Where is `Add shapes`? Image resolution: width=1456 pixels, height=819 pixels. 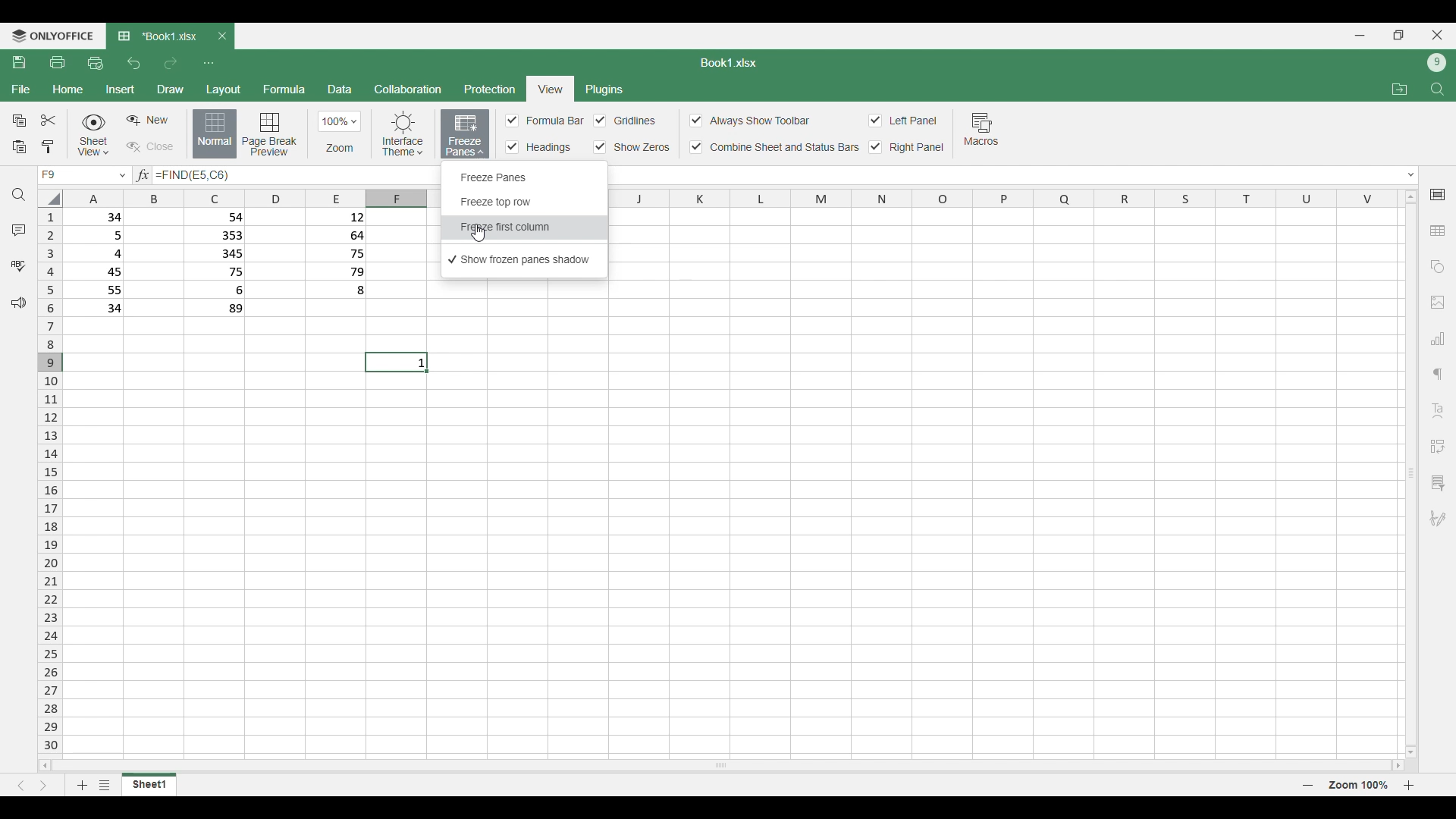 Add shapes is located at coordinates (1438, 266).